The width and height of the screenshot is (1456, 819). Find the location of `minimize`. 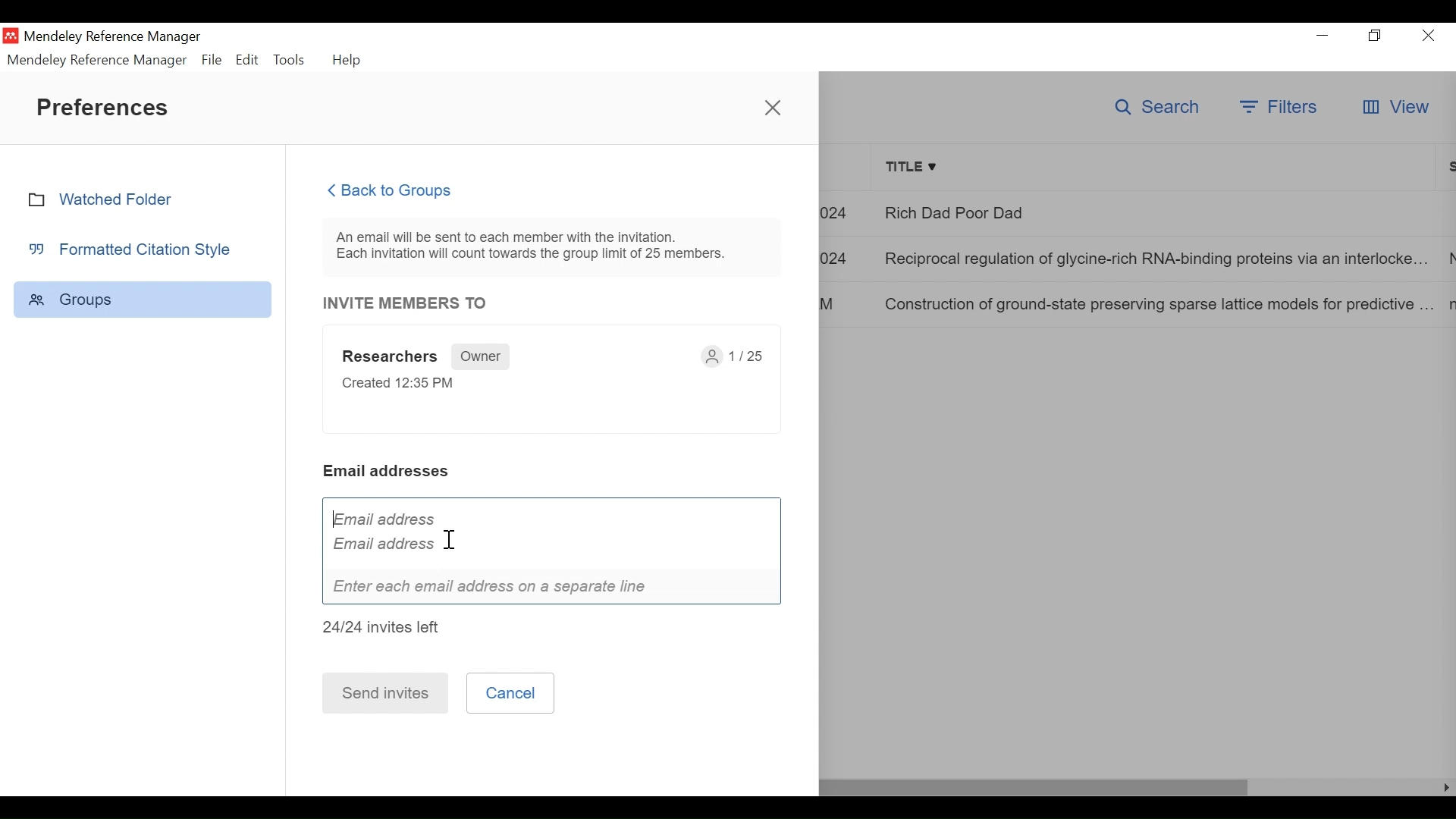

minimize is located at coordinates (1323, 33).